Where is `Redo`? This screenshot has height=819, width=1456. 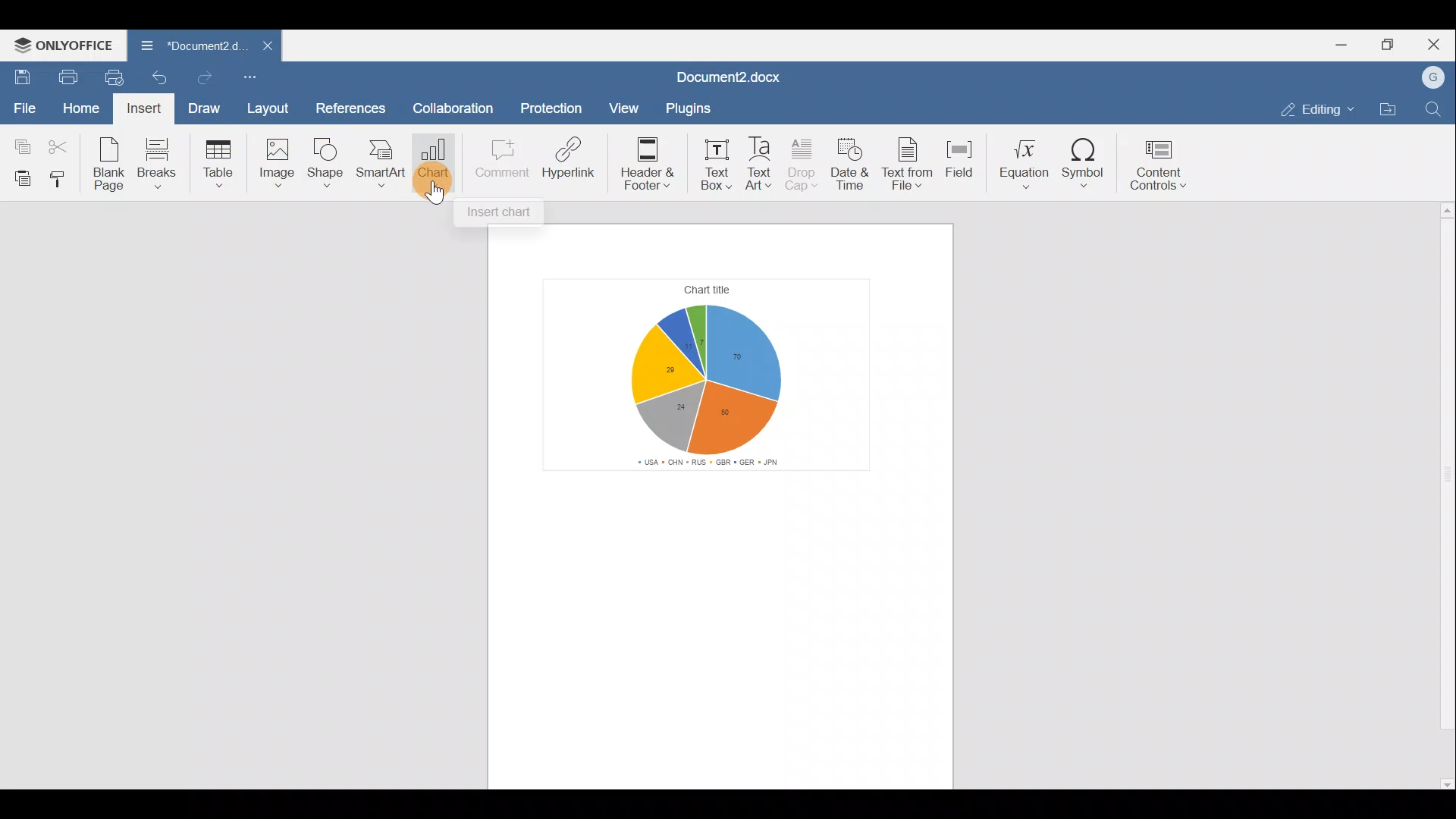 Redo is located at coordinates (208, 75).